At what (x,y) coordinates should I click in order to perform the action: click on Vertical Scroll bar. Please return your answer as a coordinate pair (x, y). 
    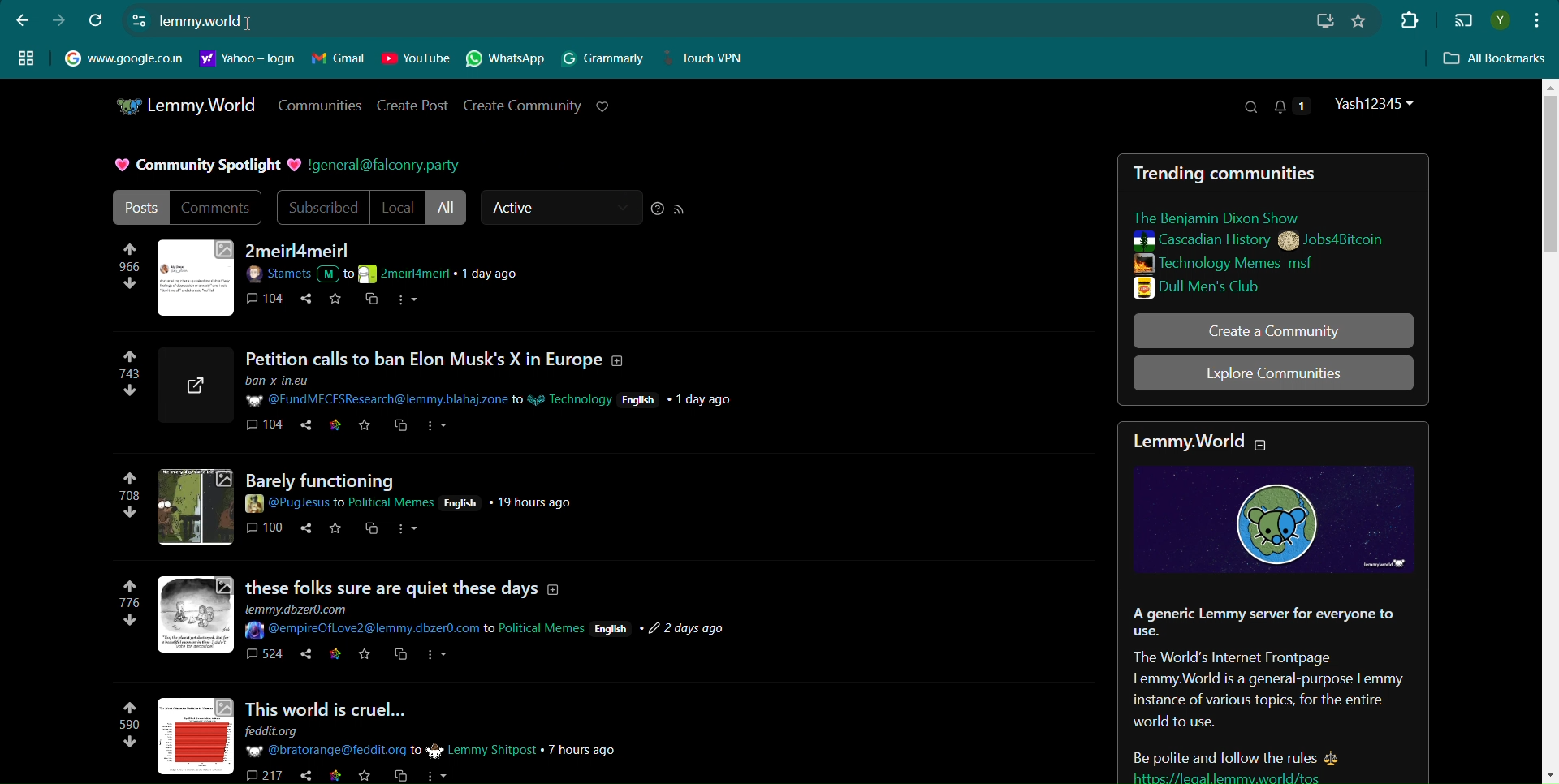
    Looking at the image, I should click on (1548, 429).